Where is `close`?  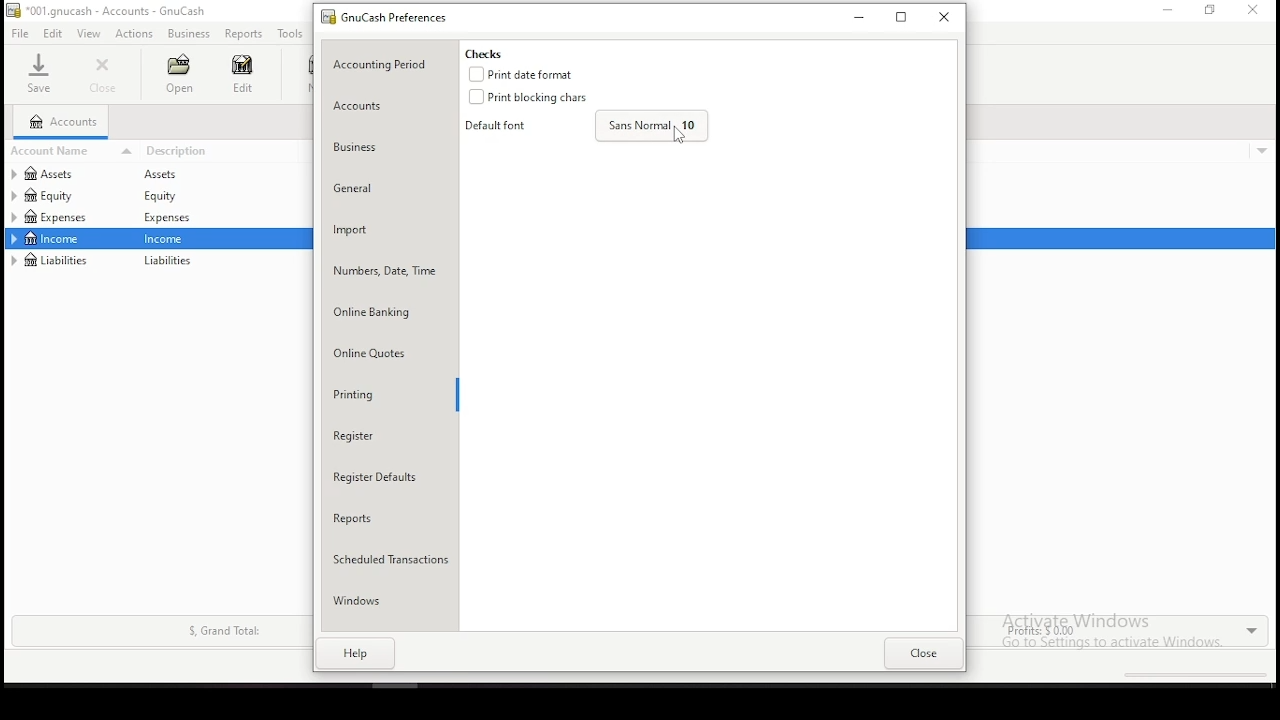 close is located at coordinates (105, 75).